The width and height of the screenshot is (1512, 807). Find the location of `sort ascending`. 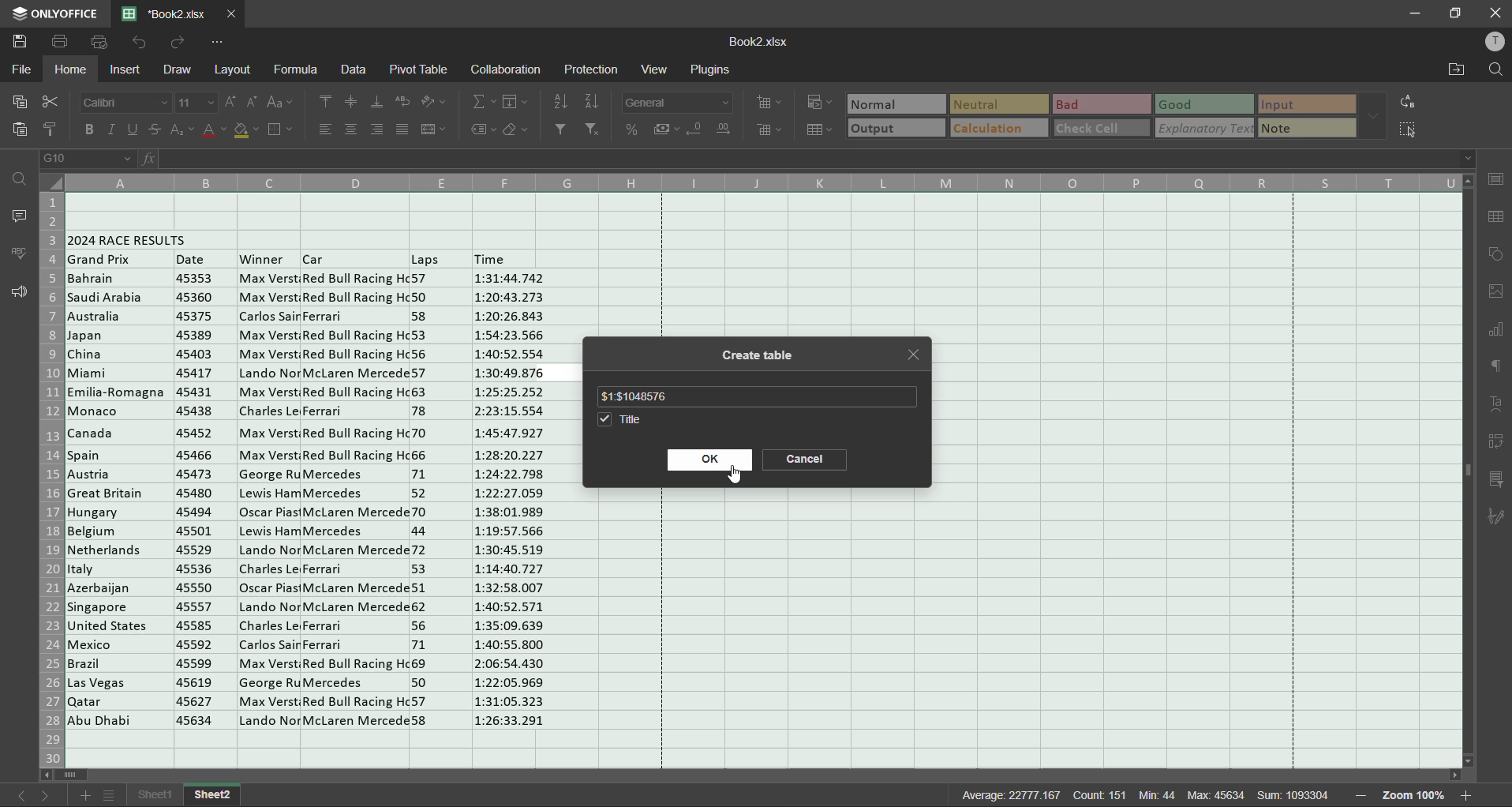

sort ascending is located at coordinates (562, 102).